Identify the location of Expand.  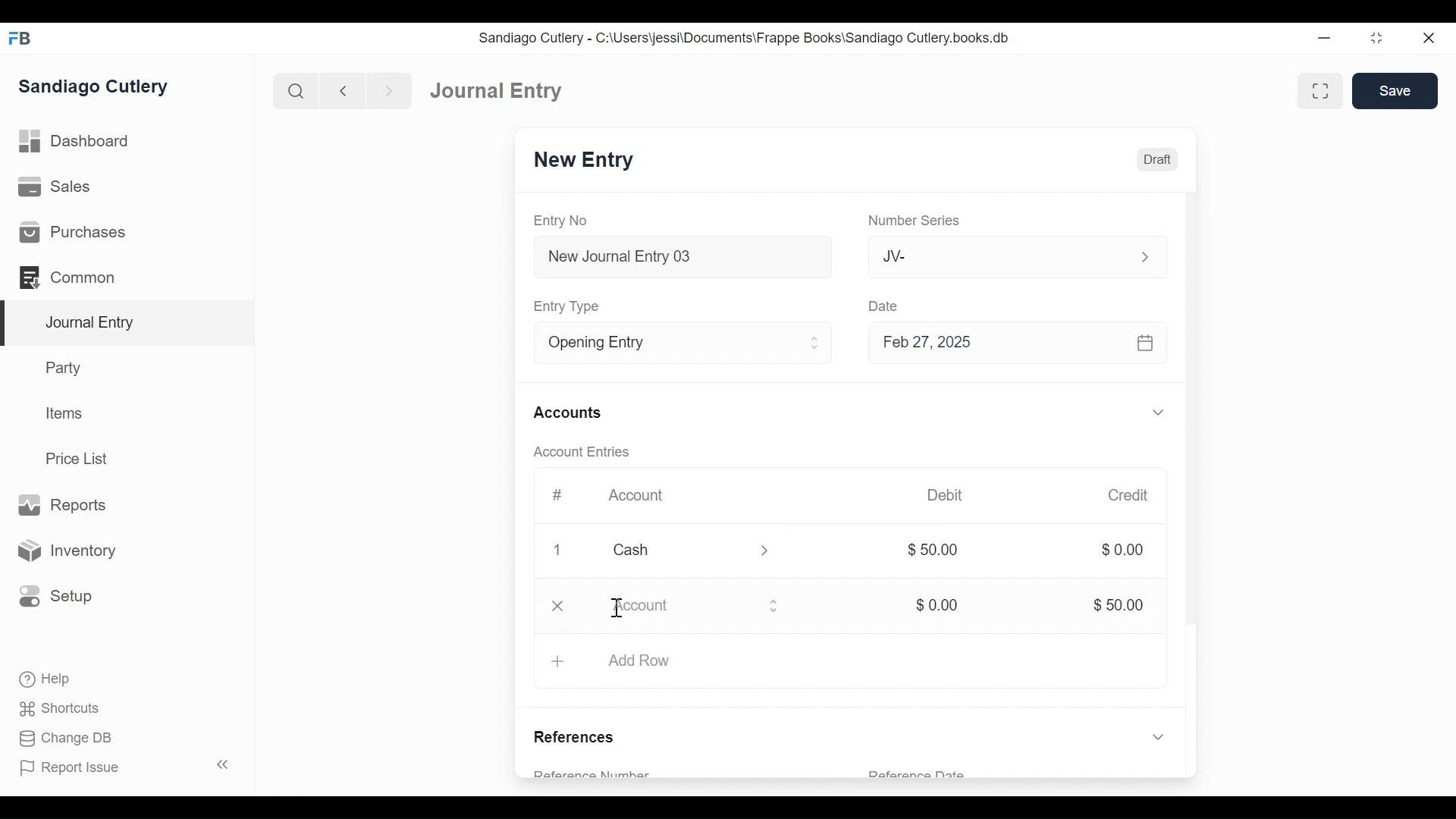
(1160, 412).